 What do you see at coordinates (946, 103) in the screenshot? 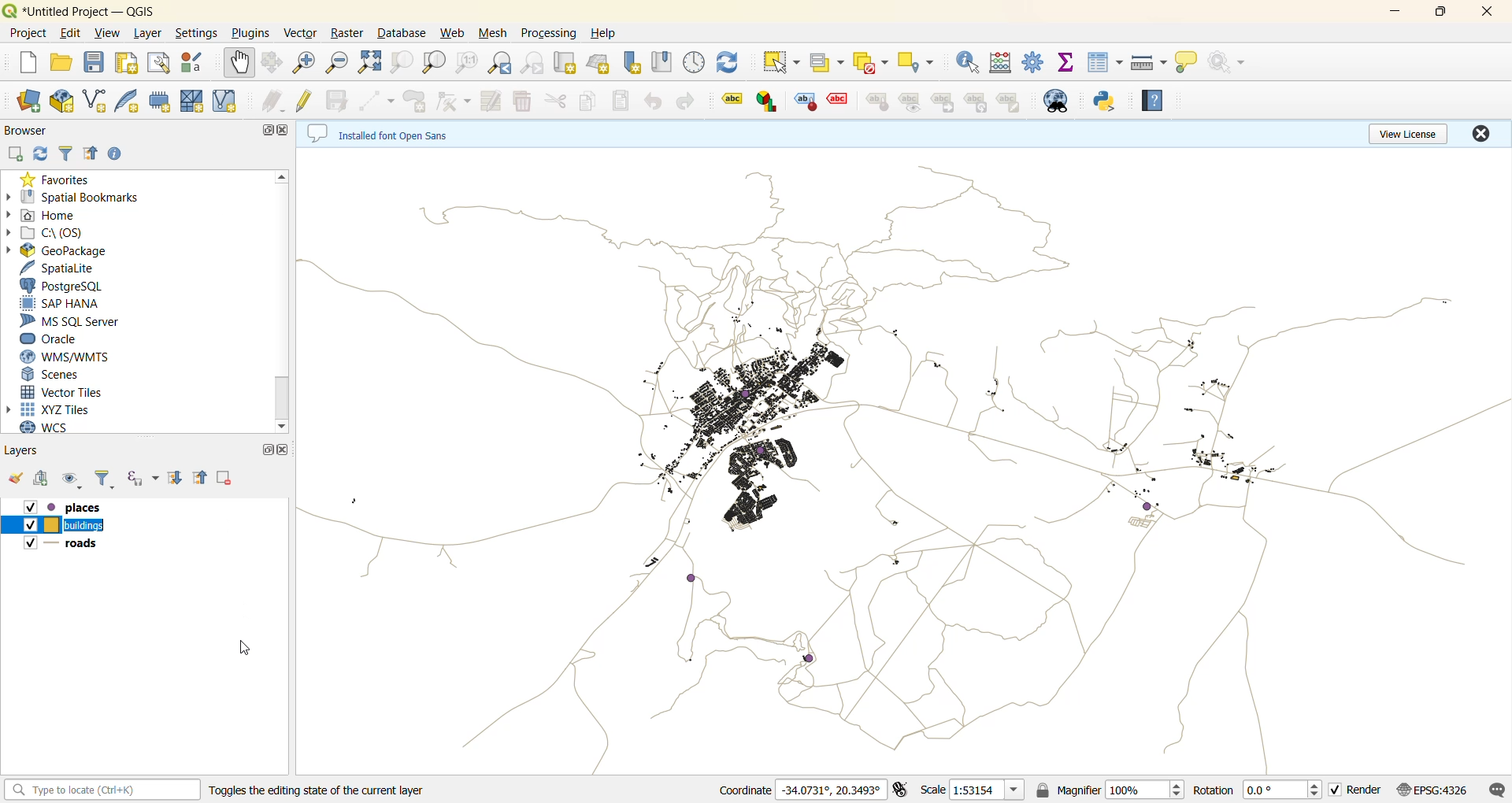
I see `linked label` at bounding box center [946, 103].